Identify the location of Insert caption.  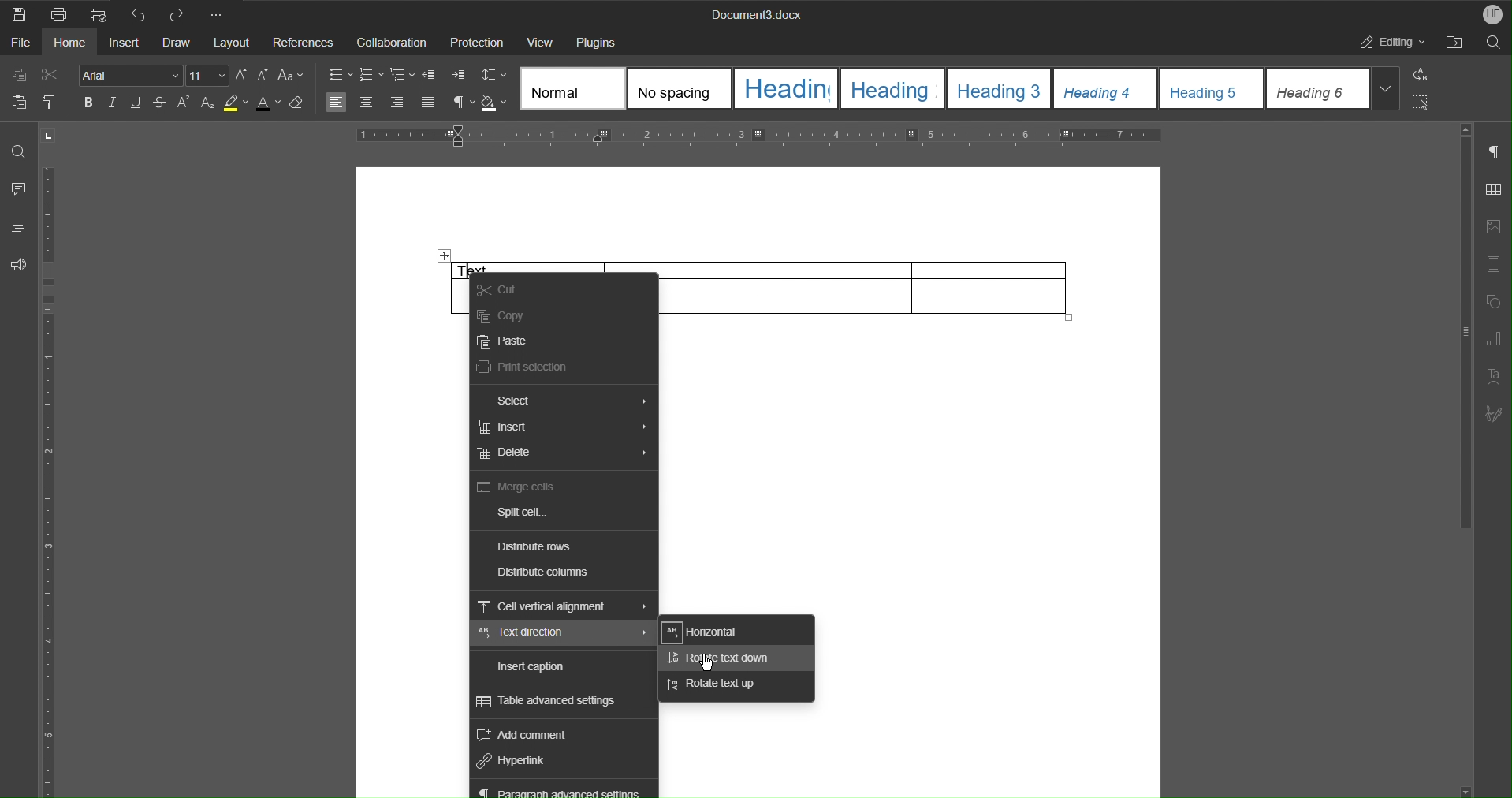
(534, 667).